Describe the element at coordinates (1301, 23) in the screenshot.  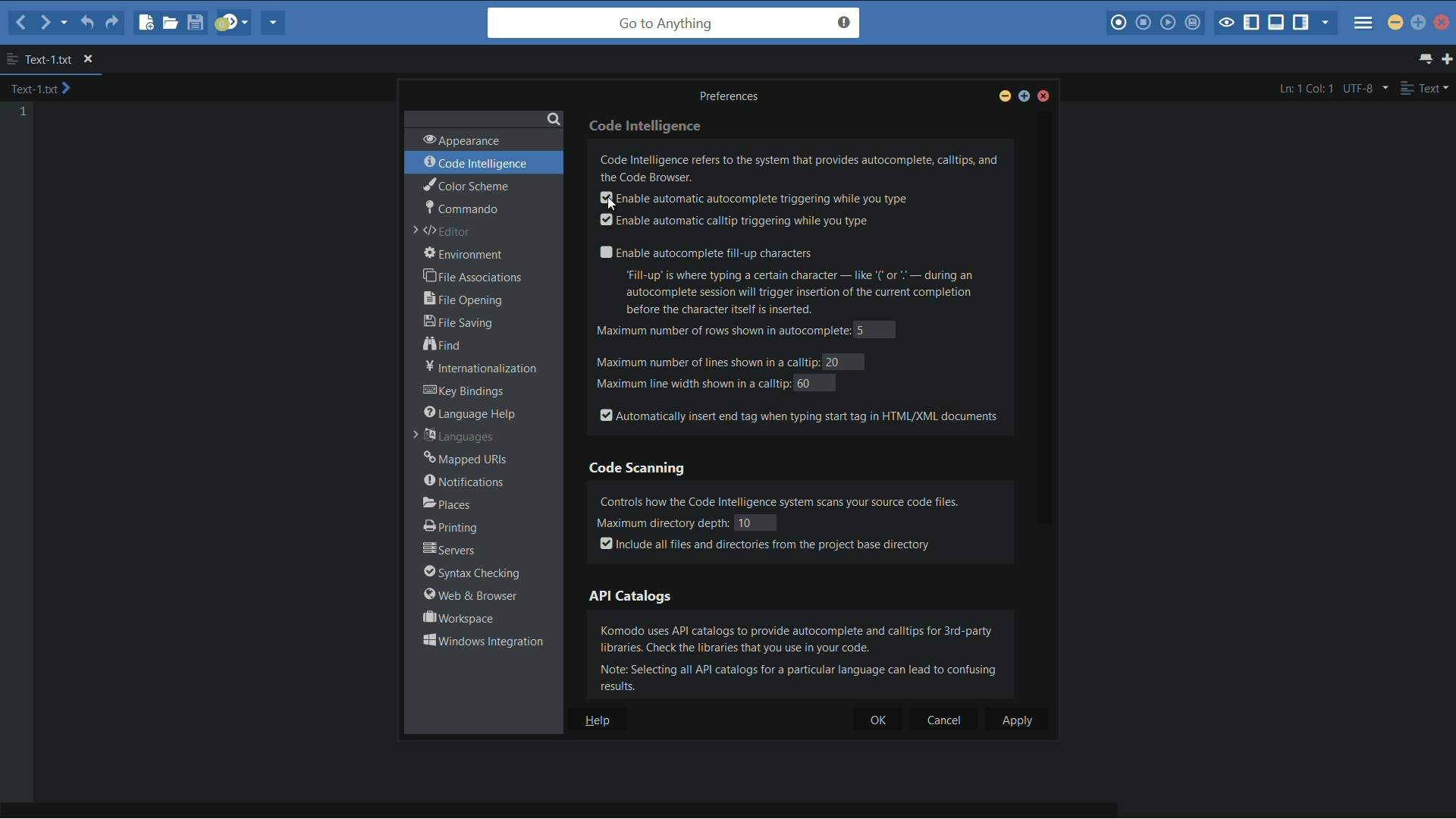
I see `show/hide right panel` at that location.